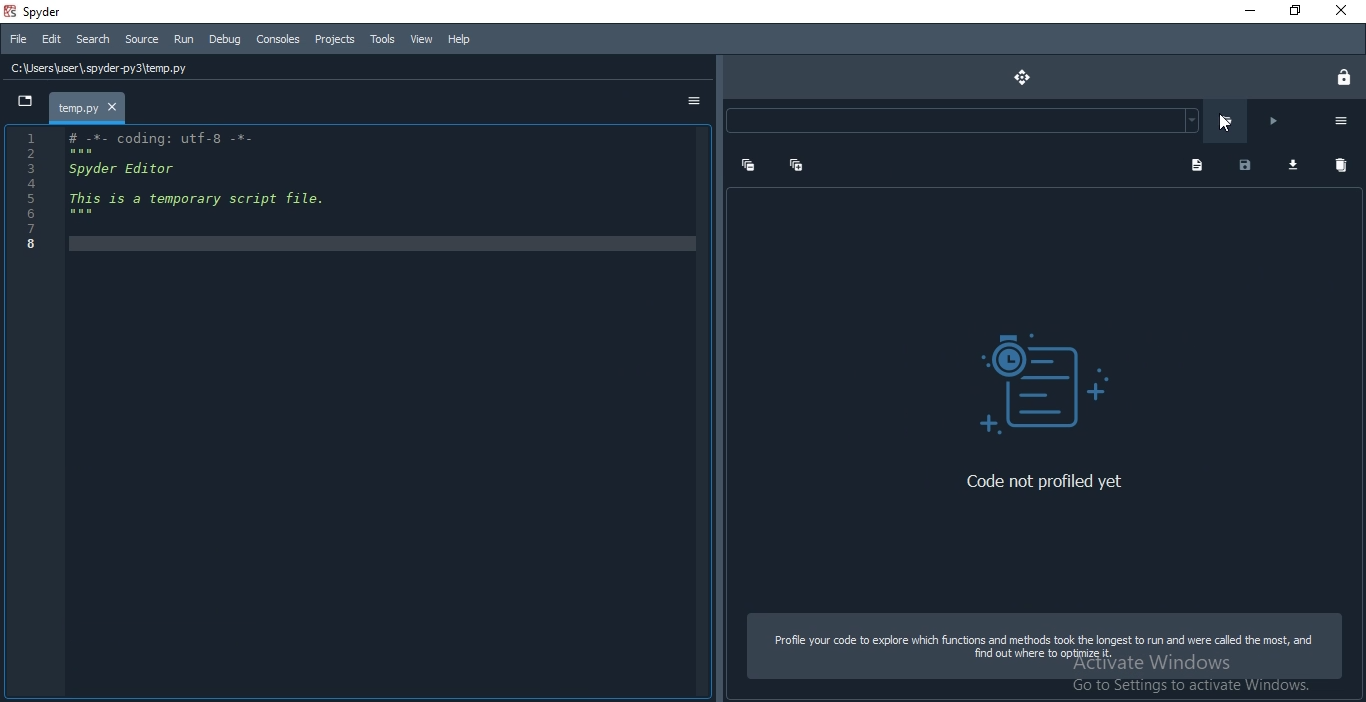  I want to click on docked window, so click(1043, 375).